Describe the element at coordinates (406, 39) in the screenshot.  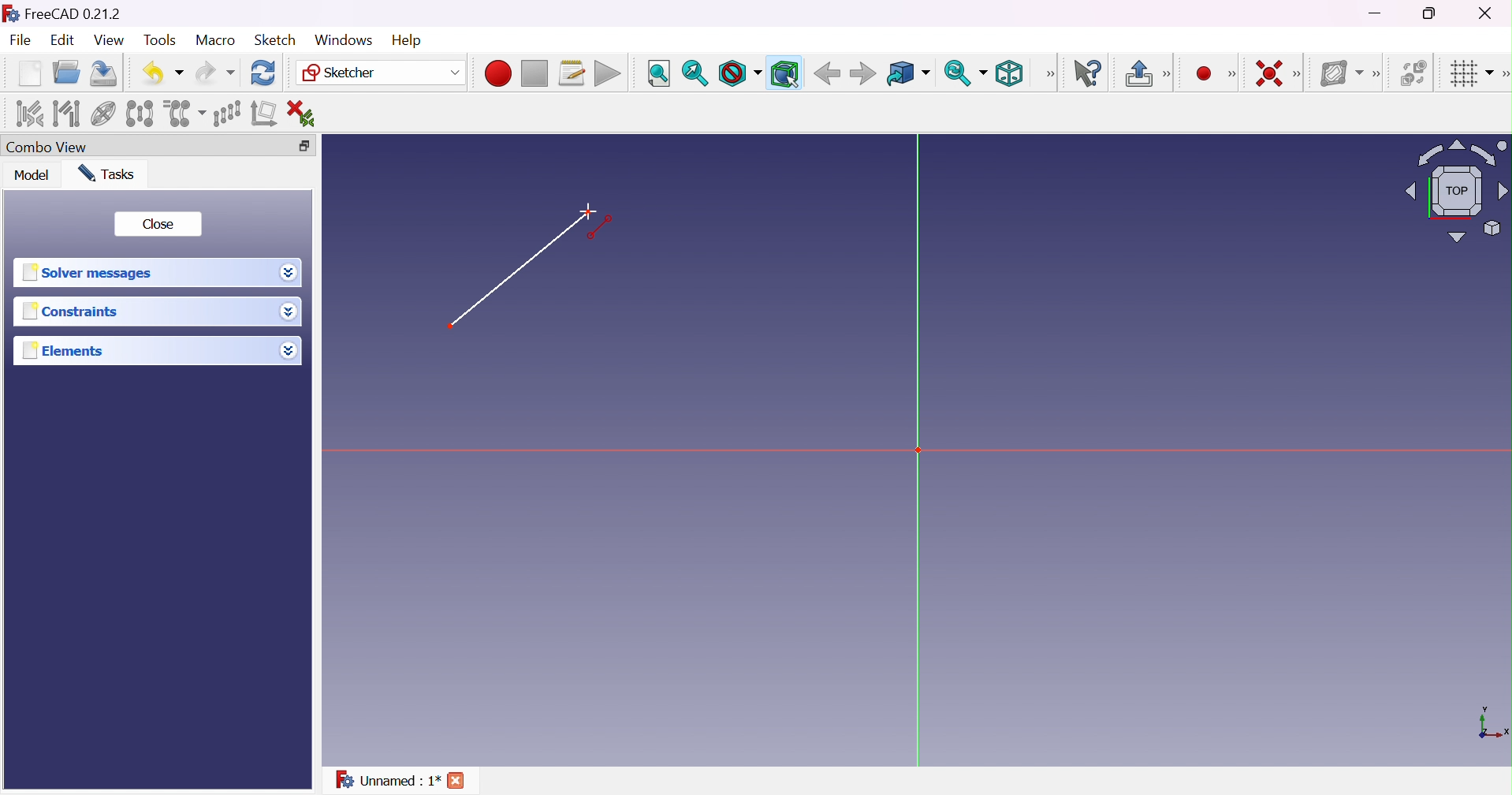
I see `Help` at that location.